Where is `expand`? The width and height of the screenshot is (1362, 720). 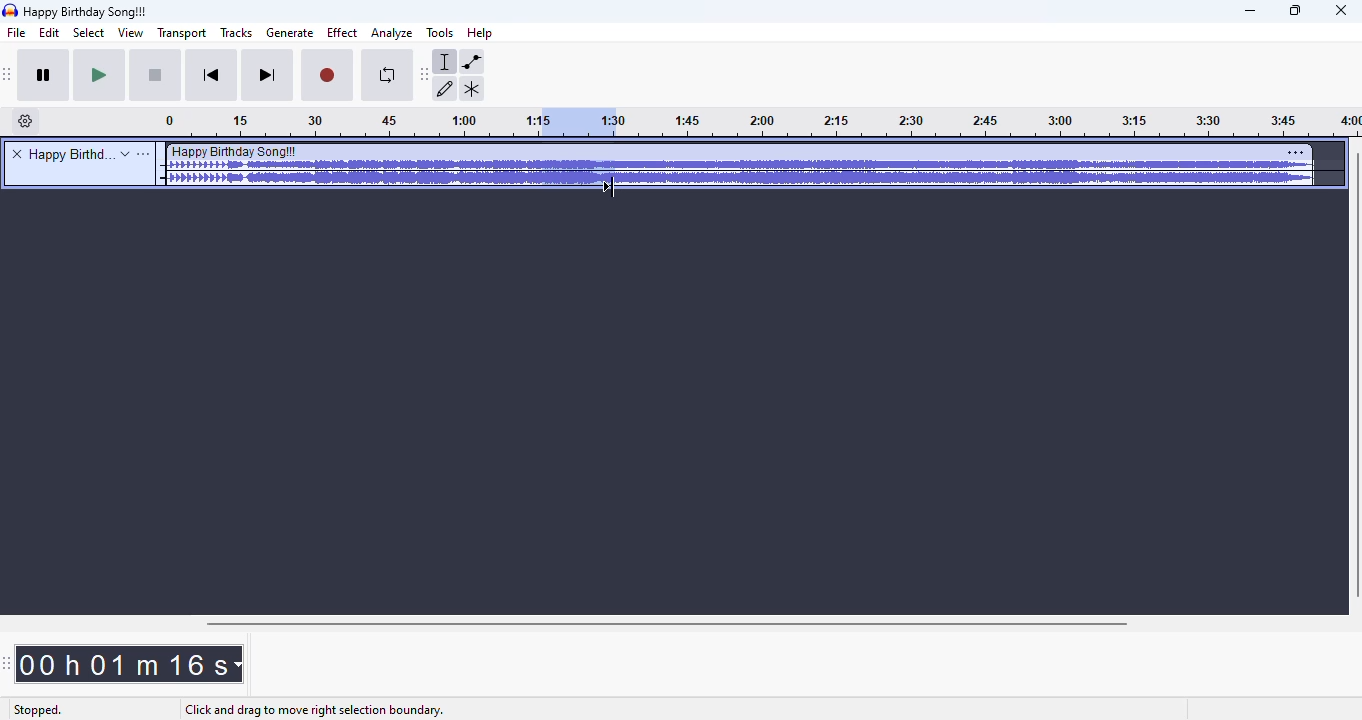
expand is located at coordinates (125, 154).